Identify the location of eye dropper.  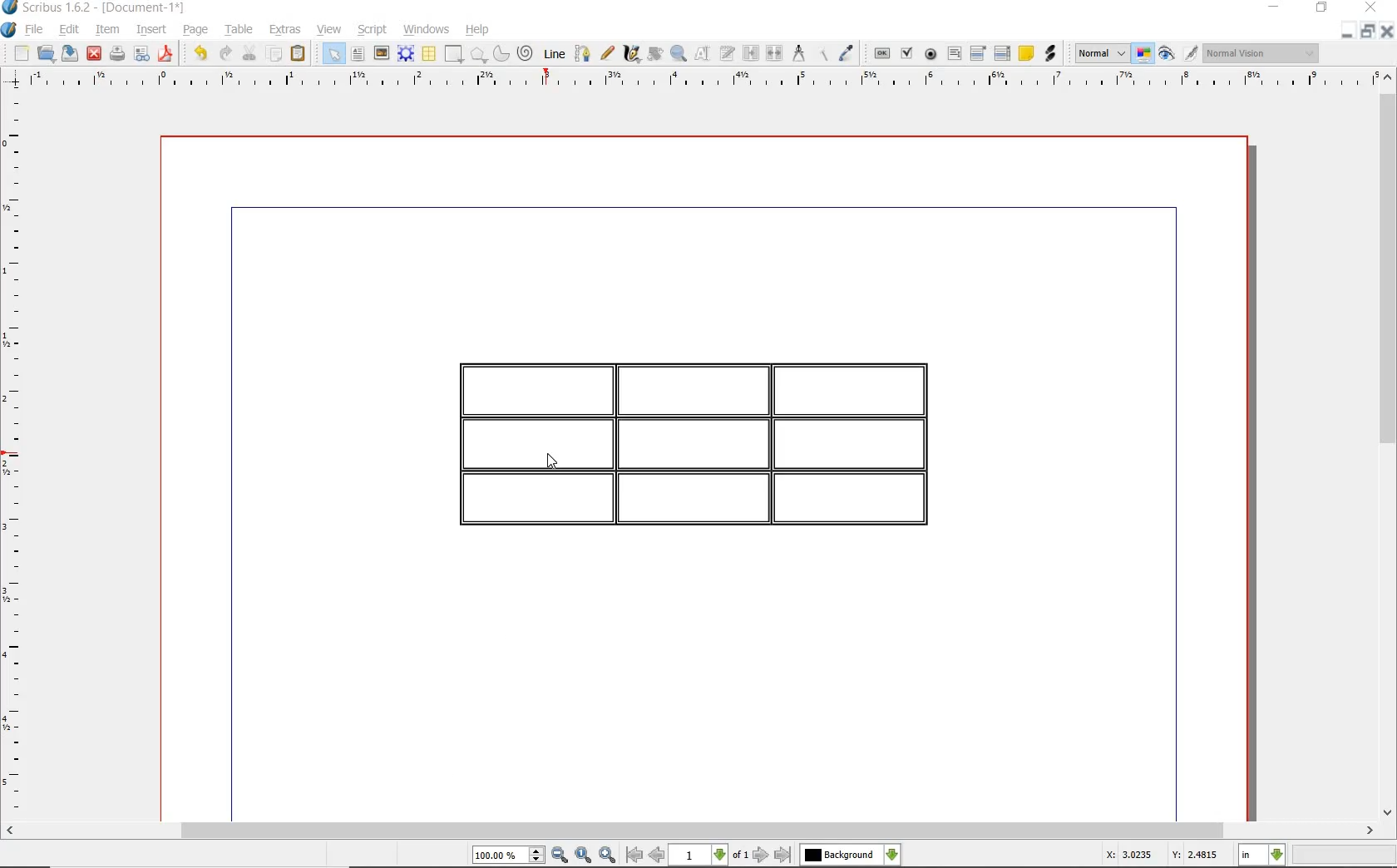
(847, 55).